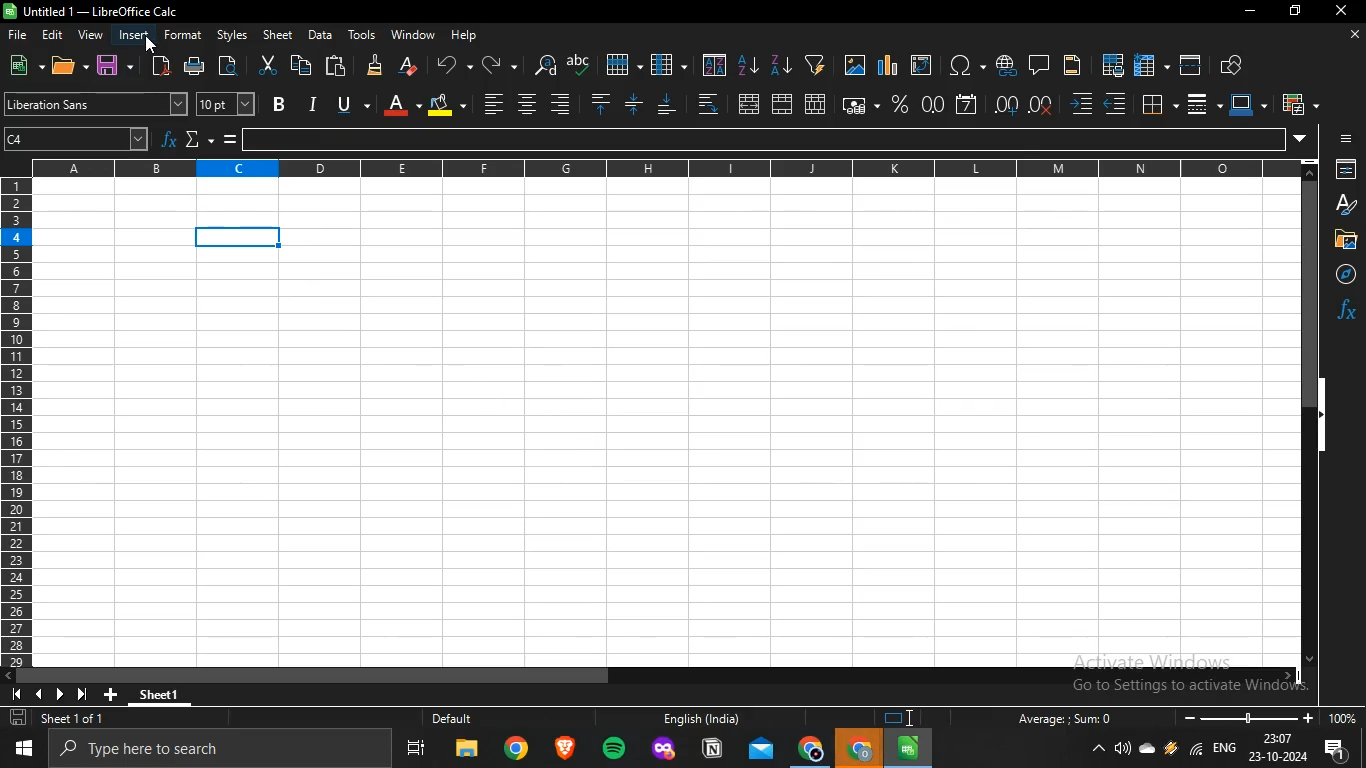  I want to click on clone formatting, so click(374, 66).